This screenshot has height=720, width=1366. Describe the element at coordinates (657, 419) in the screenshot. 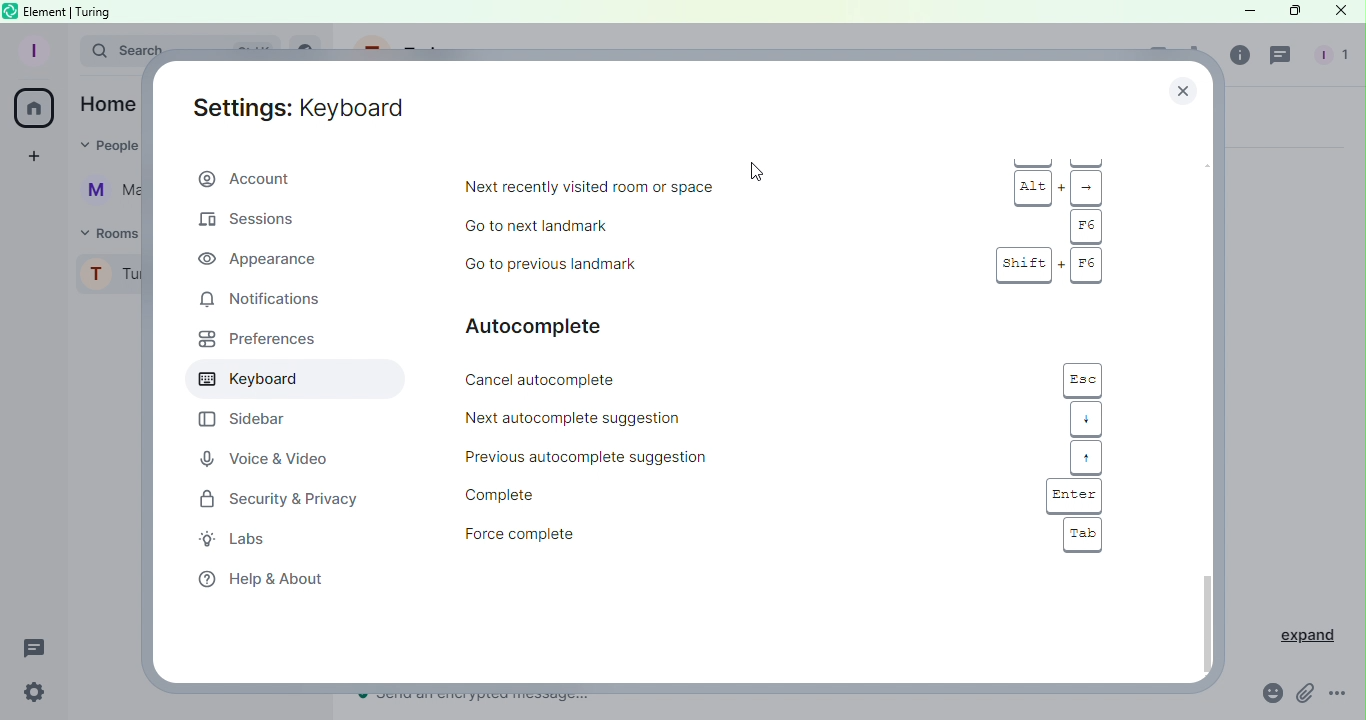

I see `Next autocomplete suggestion` at that location.